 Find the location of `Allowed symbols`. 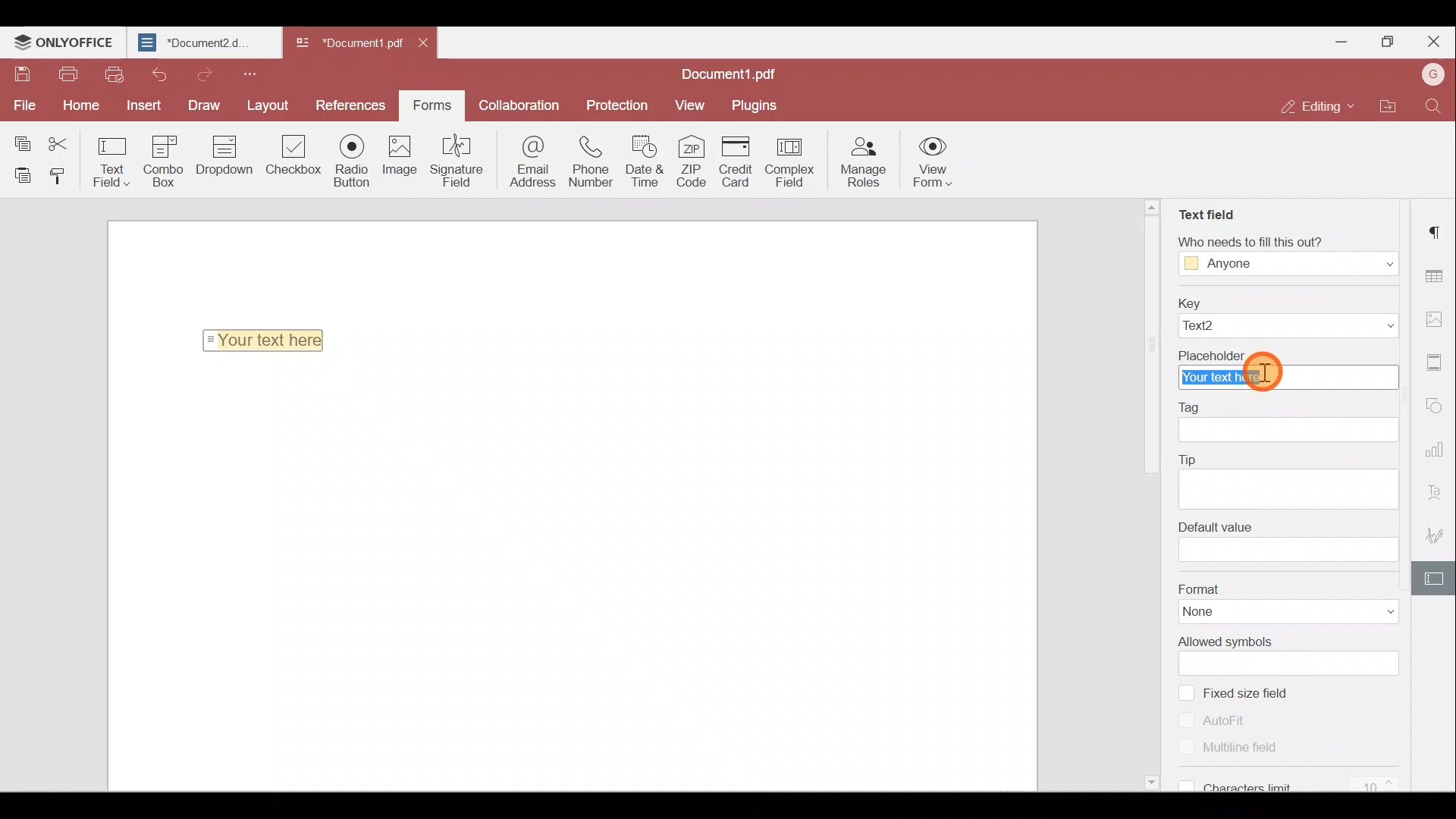

Allowed symbols is located at coordinates (1229, 642).